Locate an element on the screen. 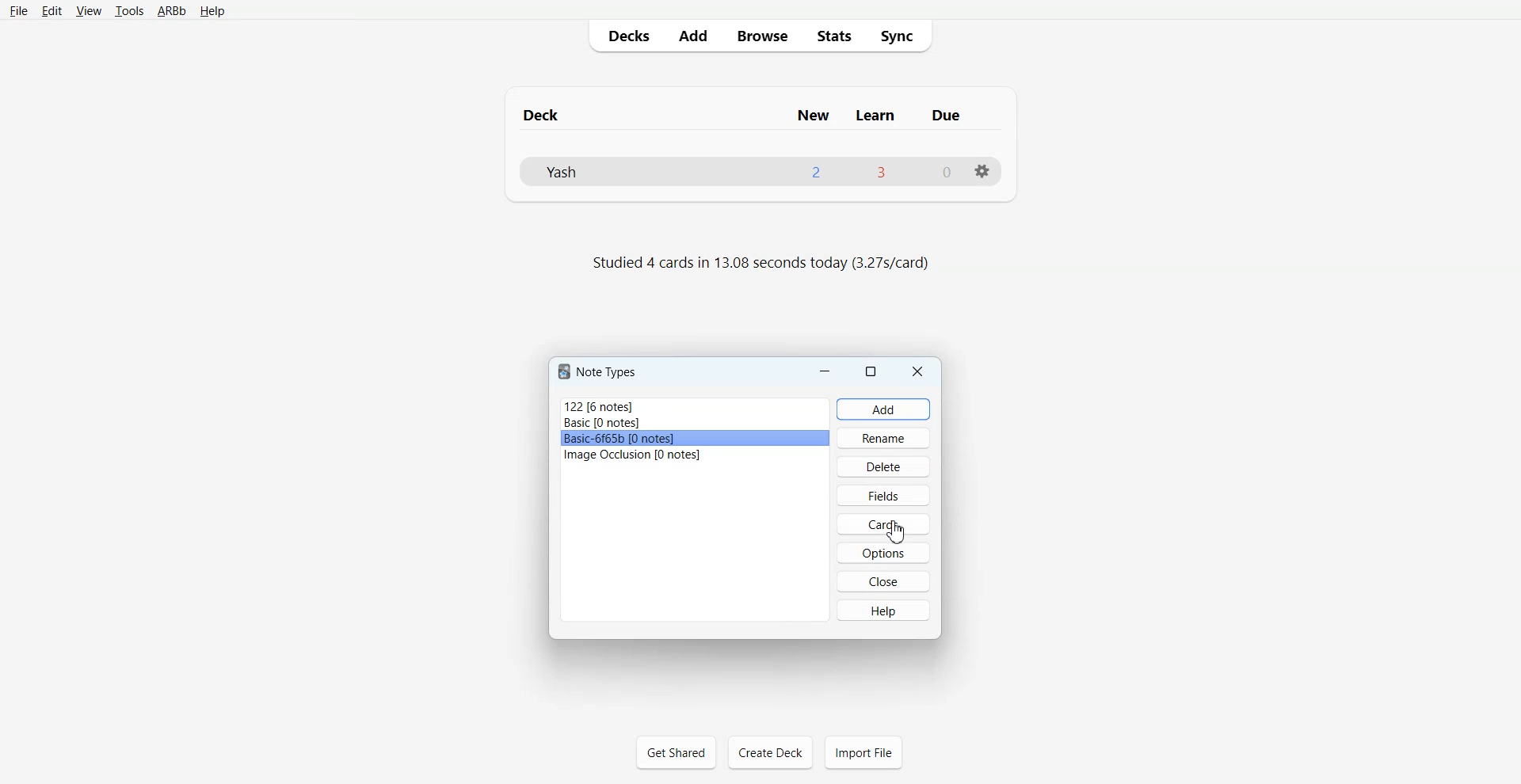 This screenshot has height=784, width=1521. Stats is located at coordinates (831, 36).